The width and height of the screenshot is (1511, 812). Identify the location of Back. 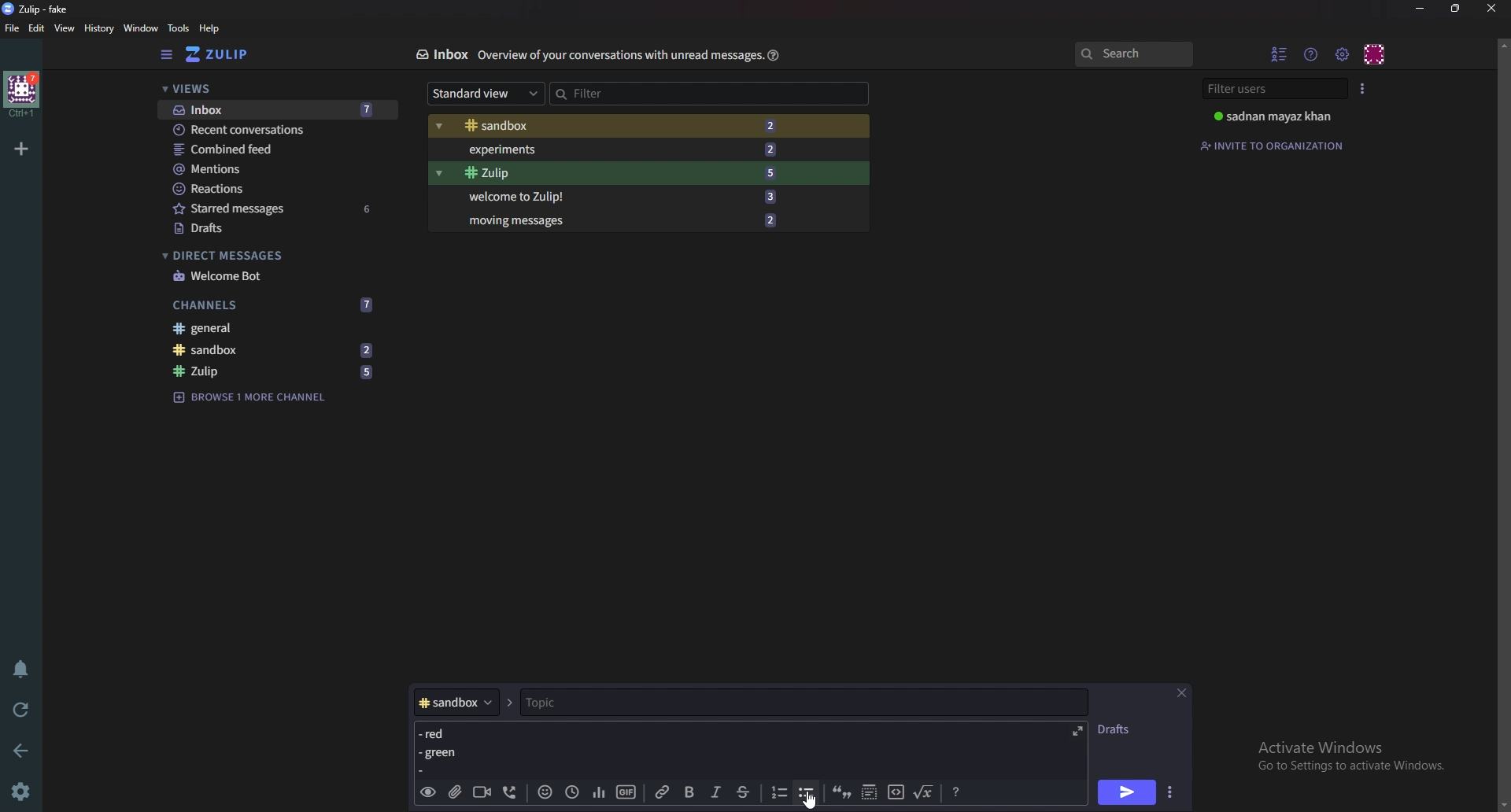
(24, 749).